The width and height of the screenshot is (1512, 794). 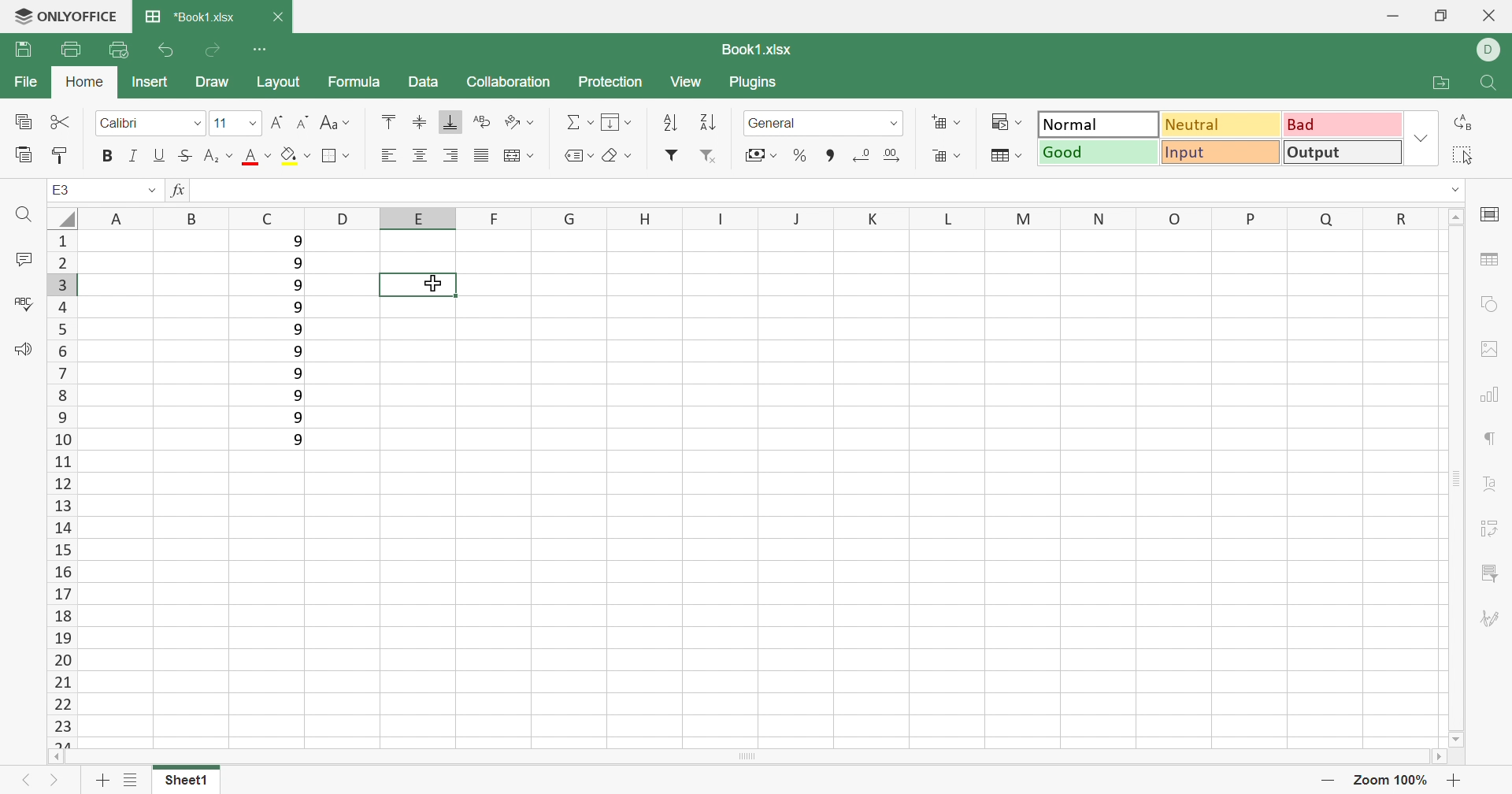 What do you see at coordinates (25, 258) in the screenshot?
I see `Comments` at bounding box center [25, 258].